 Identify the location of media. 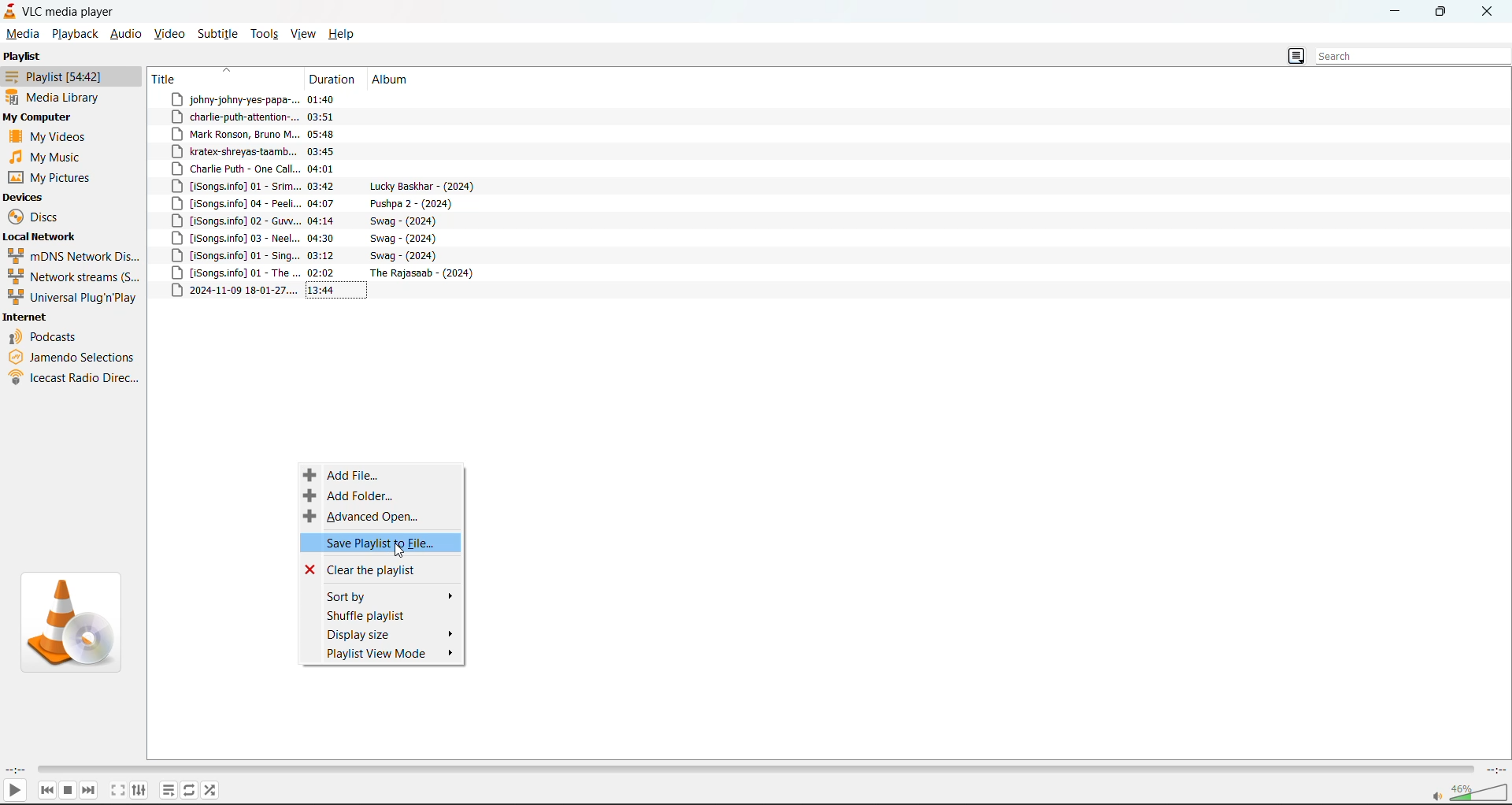
(23, 34).